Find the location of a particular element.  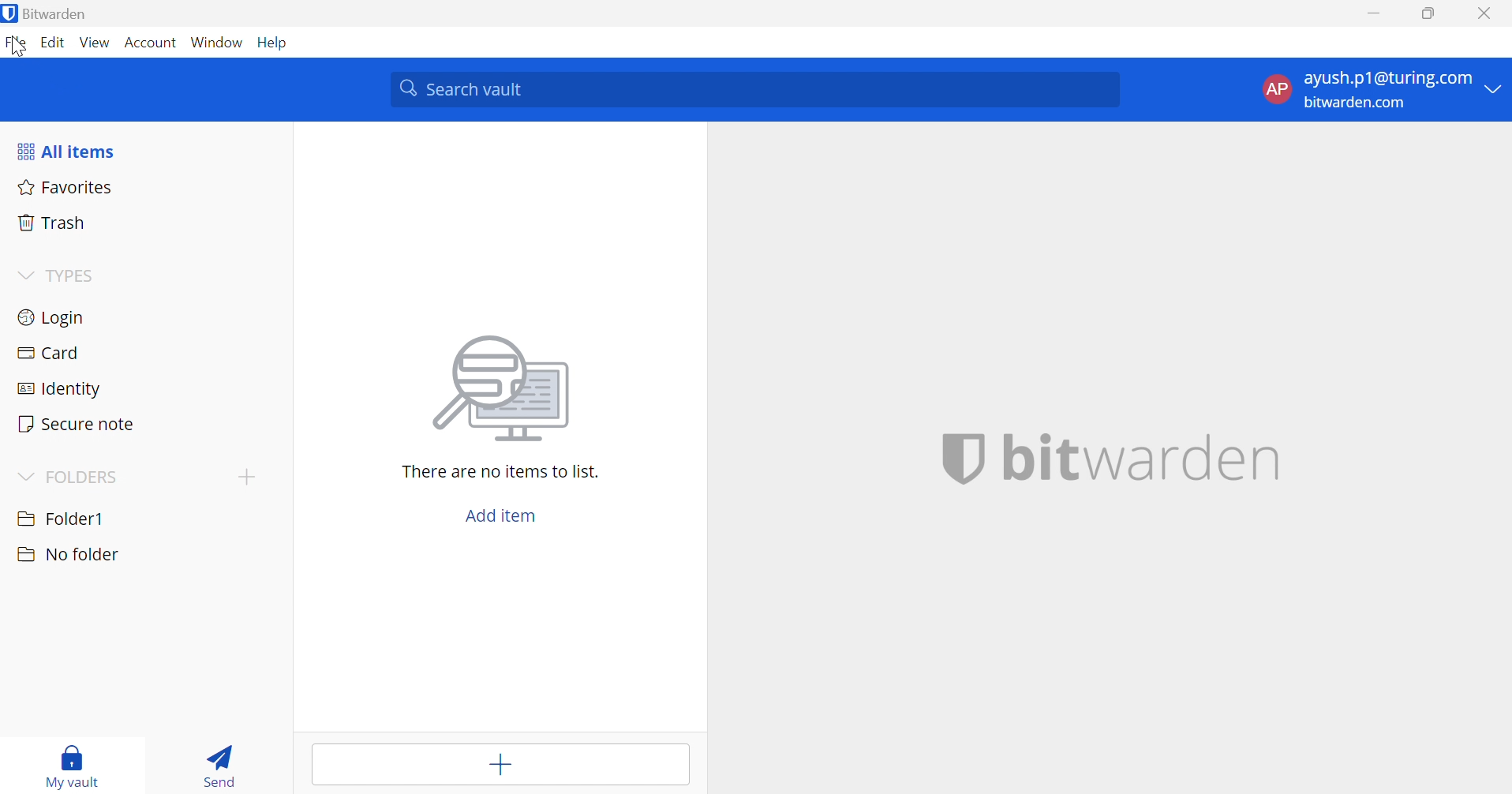

Favorites is located at coordinates (65, 188).